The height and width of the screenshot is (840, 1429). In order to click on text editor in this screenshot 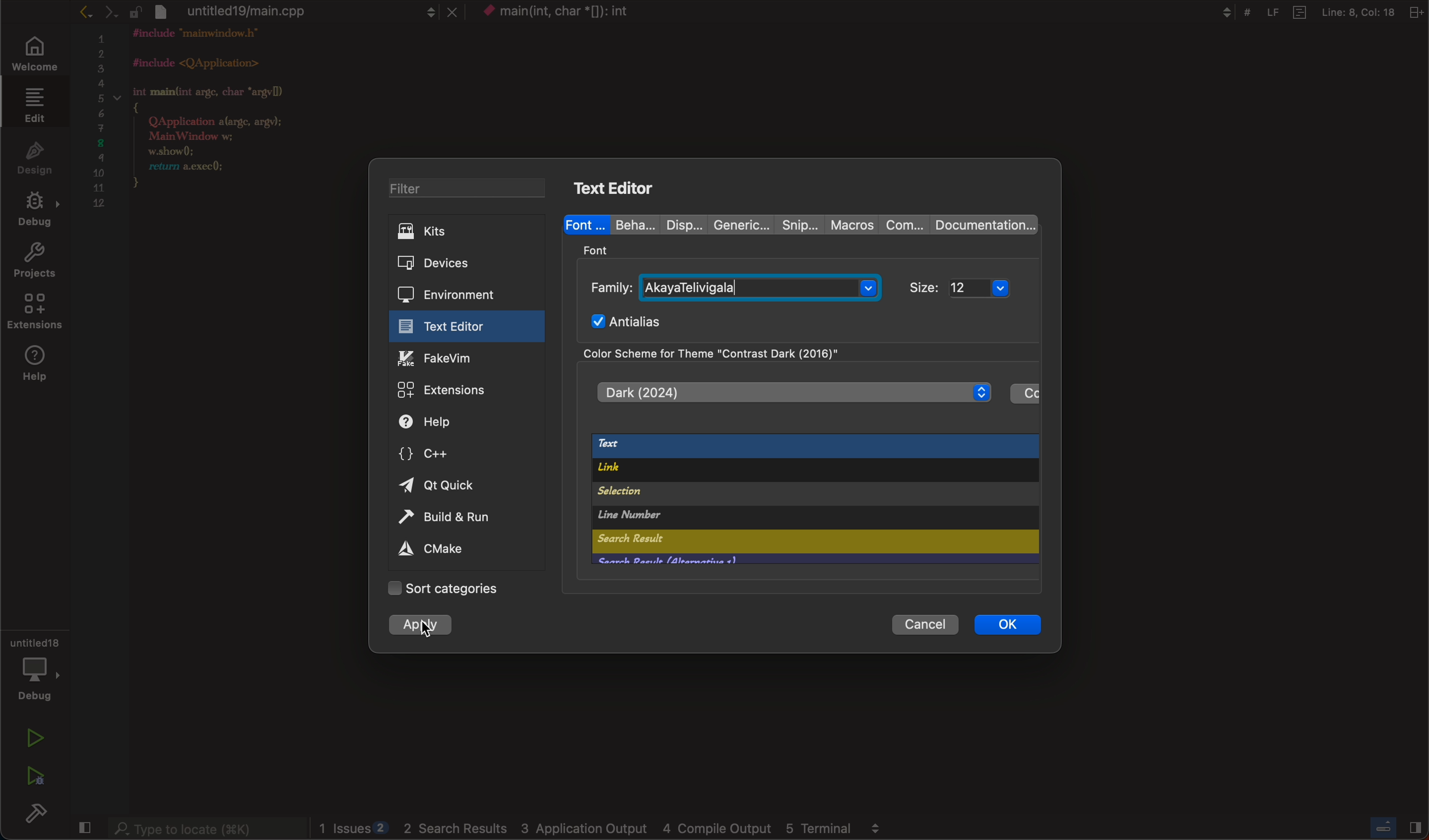, I will do `click(620, 186)`.